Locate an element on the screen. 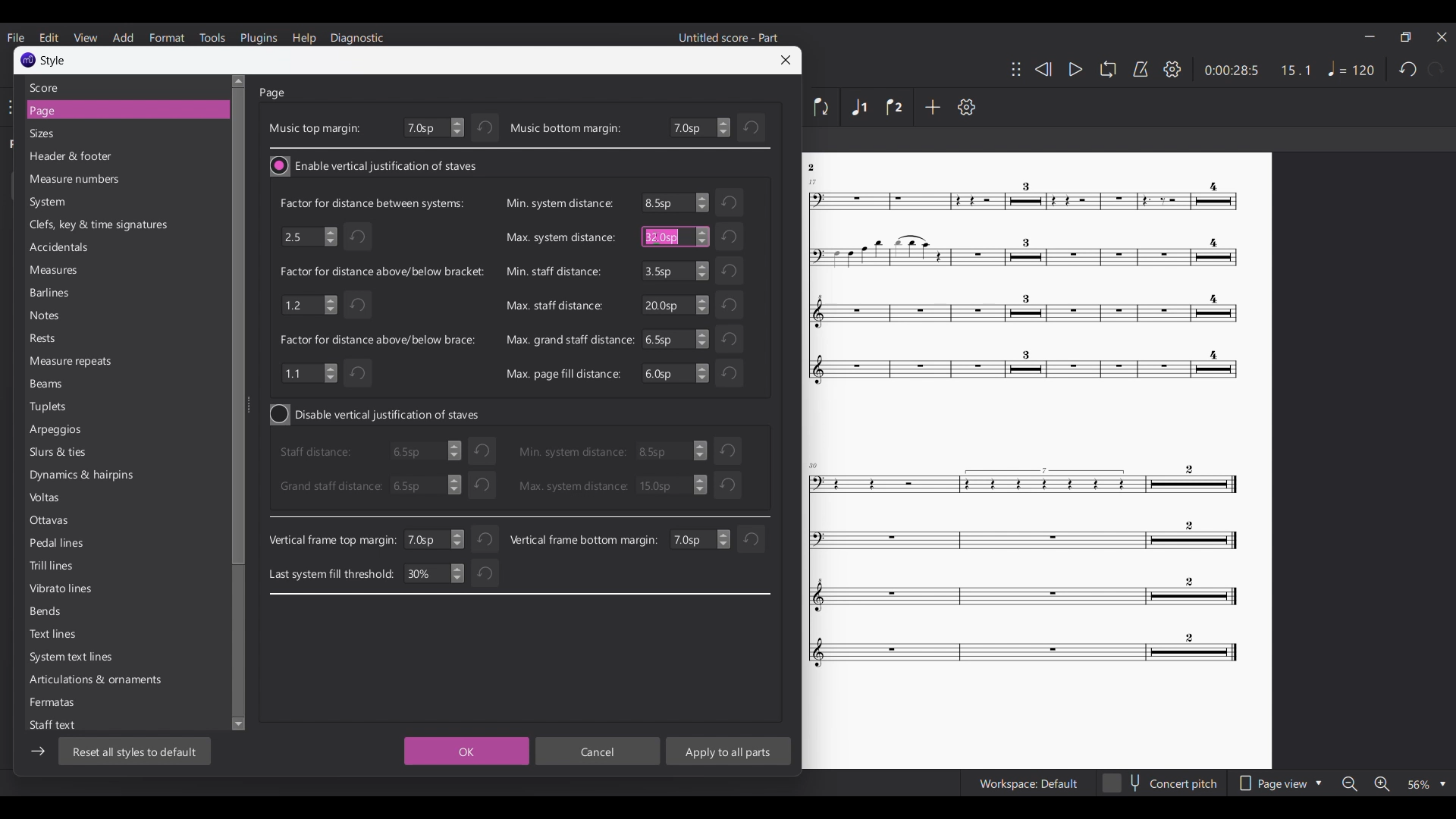  Notes is located at coordinates (68, 316).